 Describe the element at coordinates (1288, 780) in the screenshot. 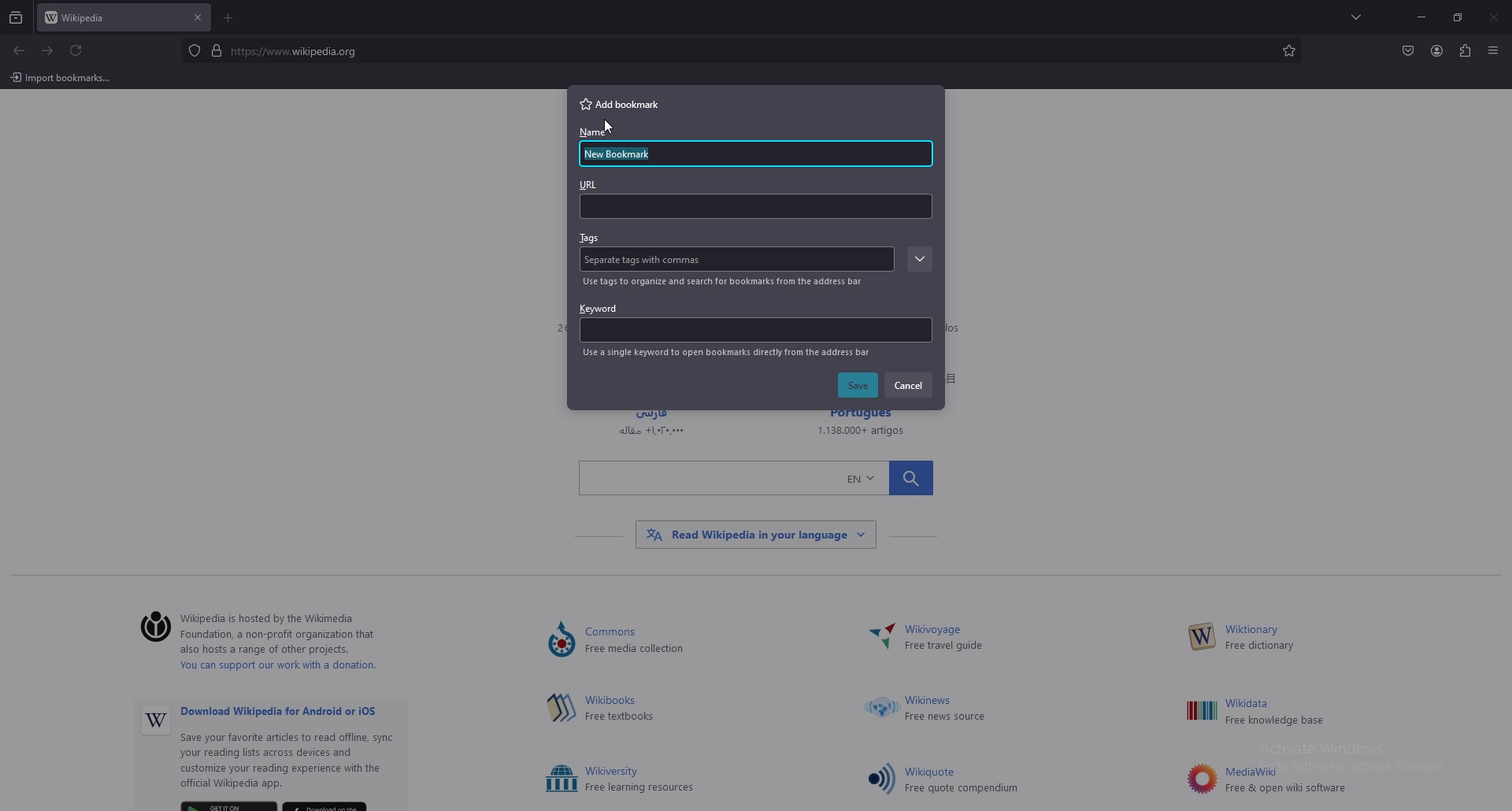

I see `` at that location.